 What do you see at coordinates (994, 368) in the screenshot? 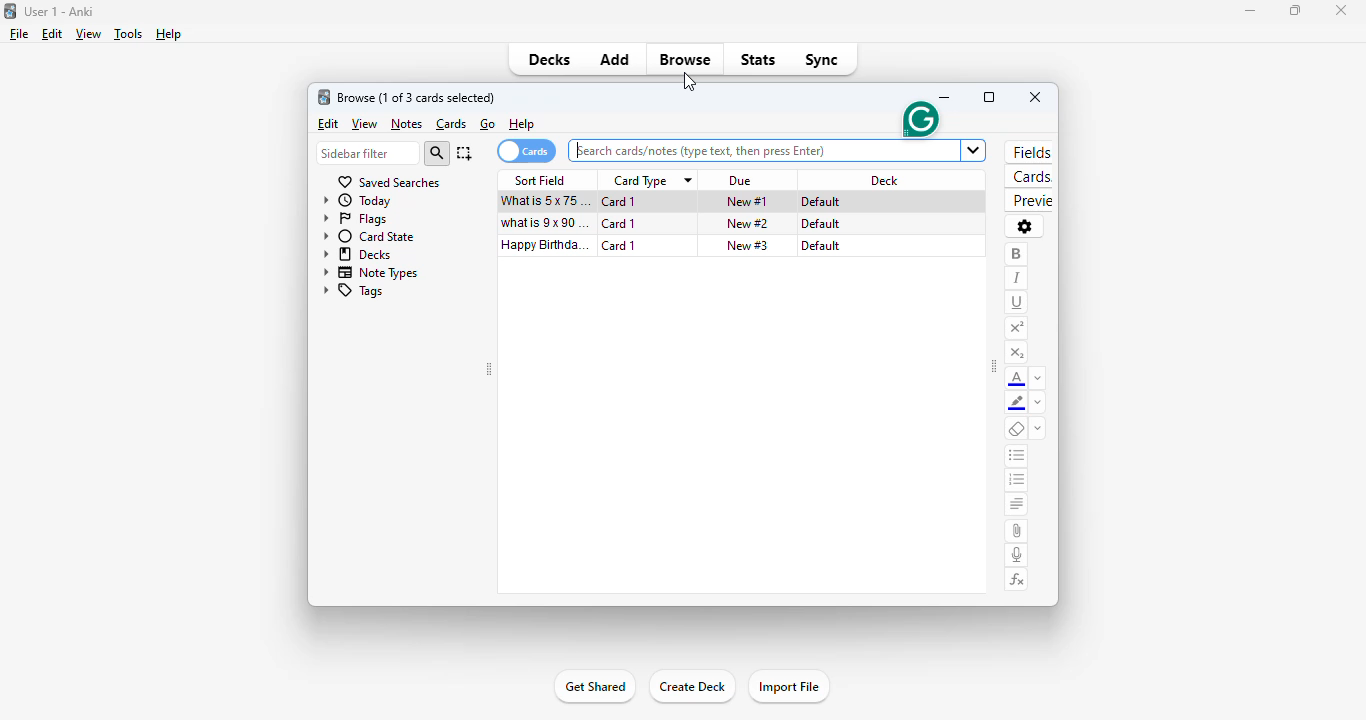
I see `toggle sidebar` at bounding box center [994, 368].